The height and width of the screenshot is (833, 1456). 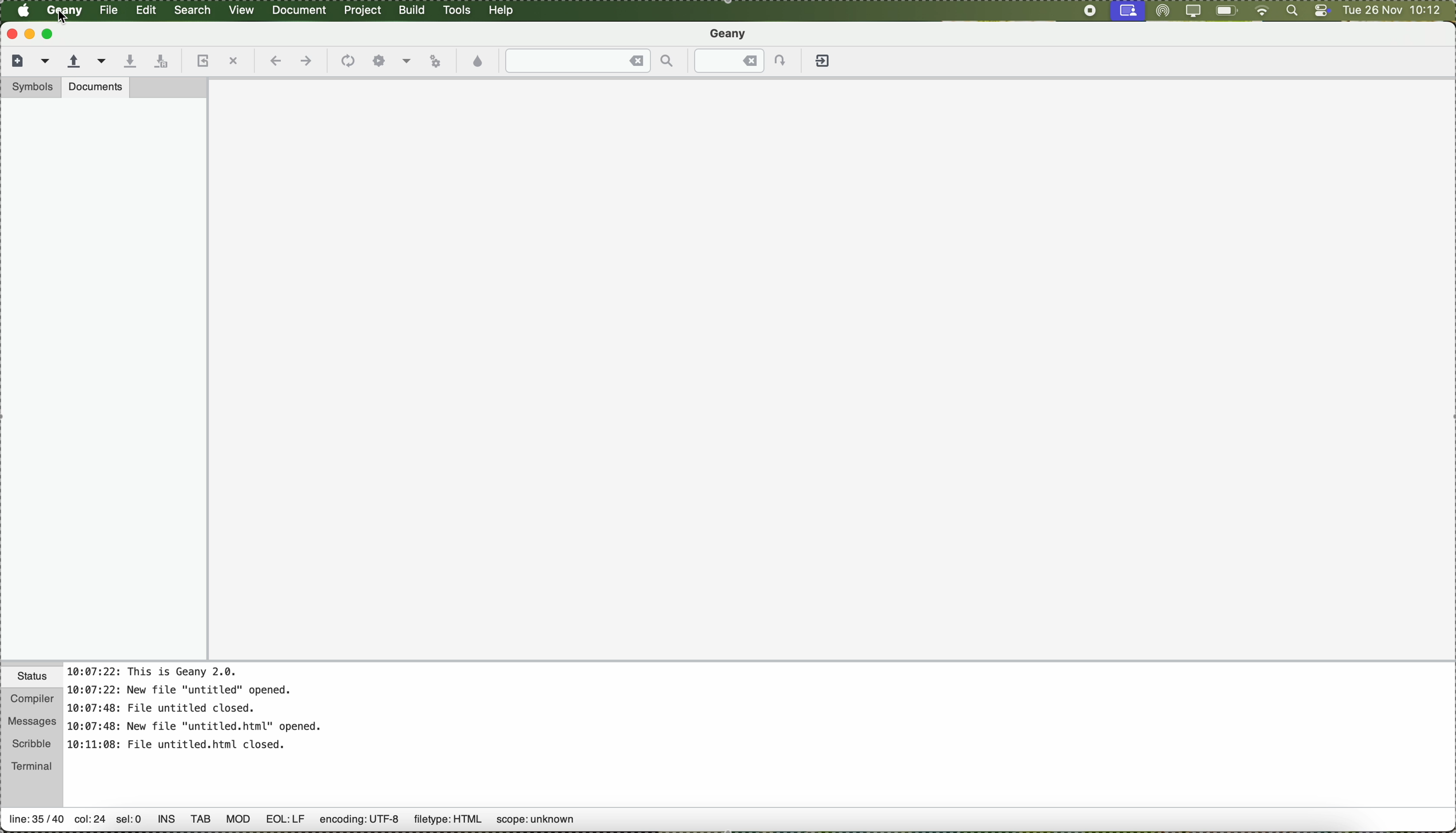 What do you see at coordinates (36, 822) in the screenshot?
I see `line 35/40` at bounding box center [36, 822].